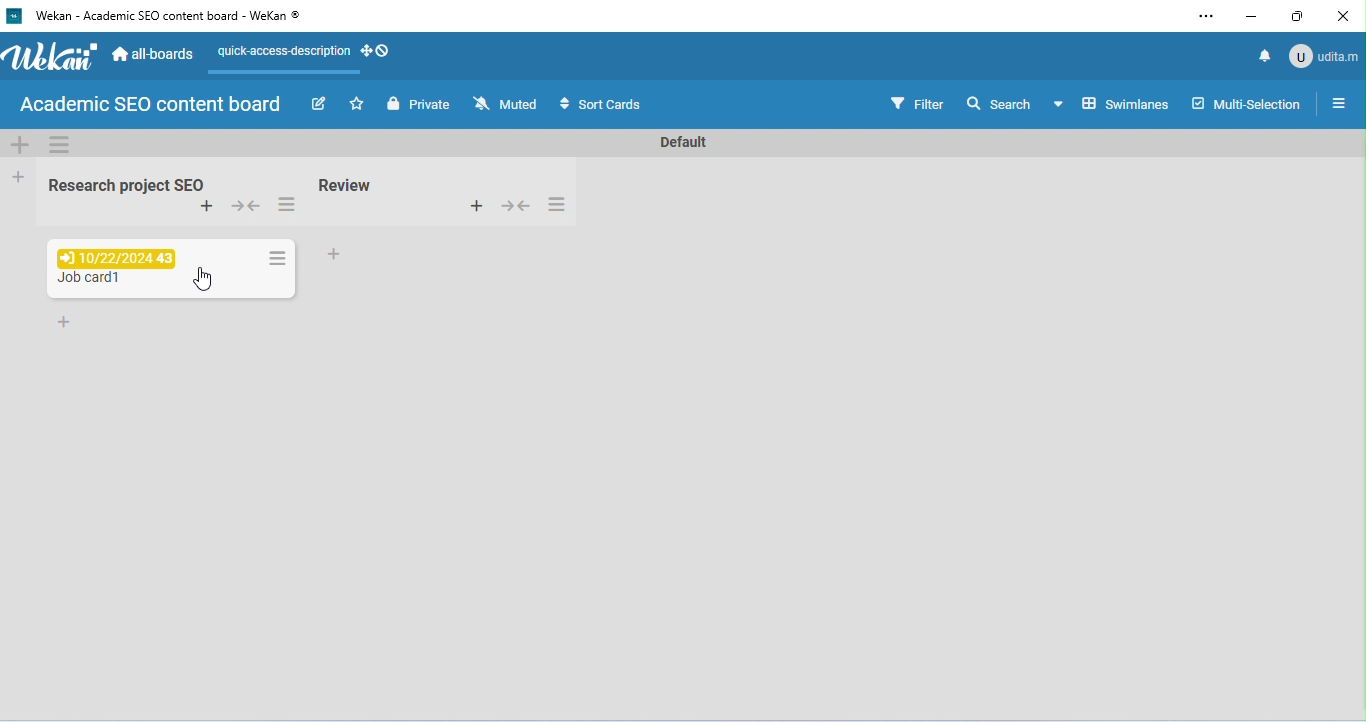 The image size is (1366, 722). Describe the element at coordinates (165, 15) in the screenshot. I see `current window: Wekan - Academic SEO content board - WeKan` at that location.